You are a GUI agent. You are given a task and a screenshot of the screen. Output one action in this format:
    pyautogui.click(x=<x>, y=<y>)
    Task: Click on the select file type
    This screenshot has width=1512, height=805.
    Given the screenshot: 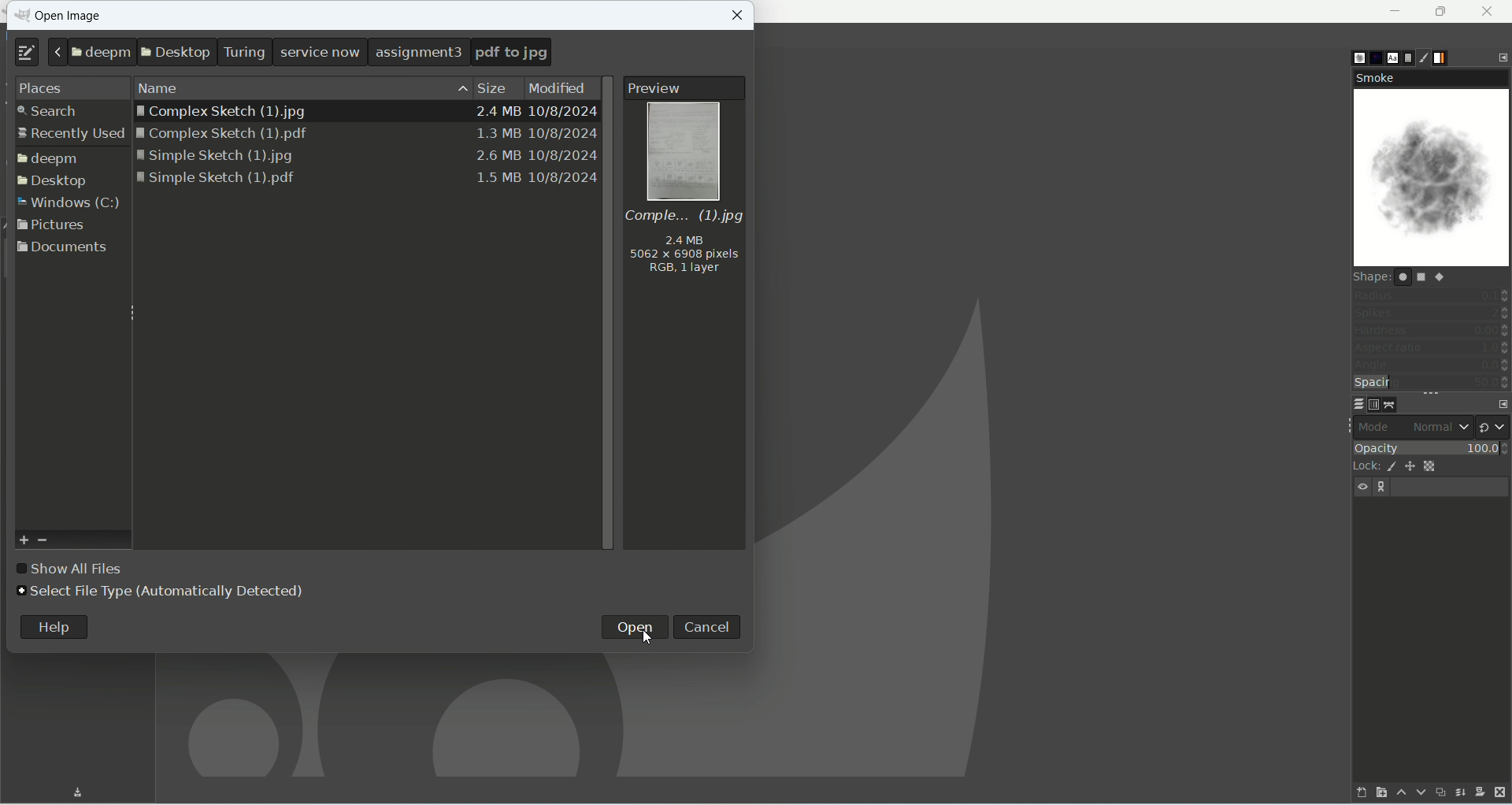 What is the action you would take?
    pyautogui.click(x=163, y=592)
    